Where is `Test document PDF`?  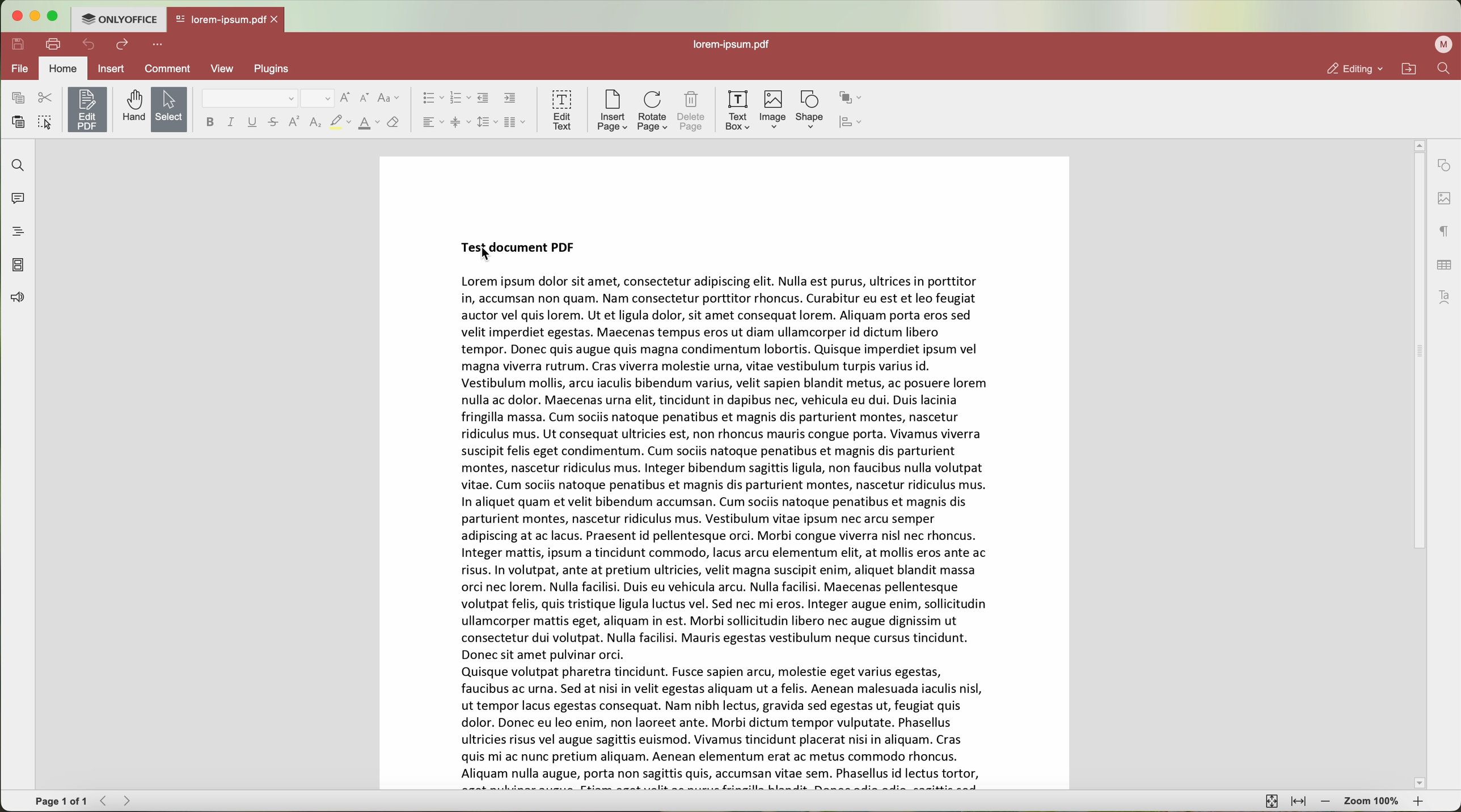
Test document PDF is located at coordinates (735, 473).